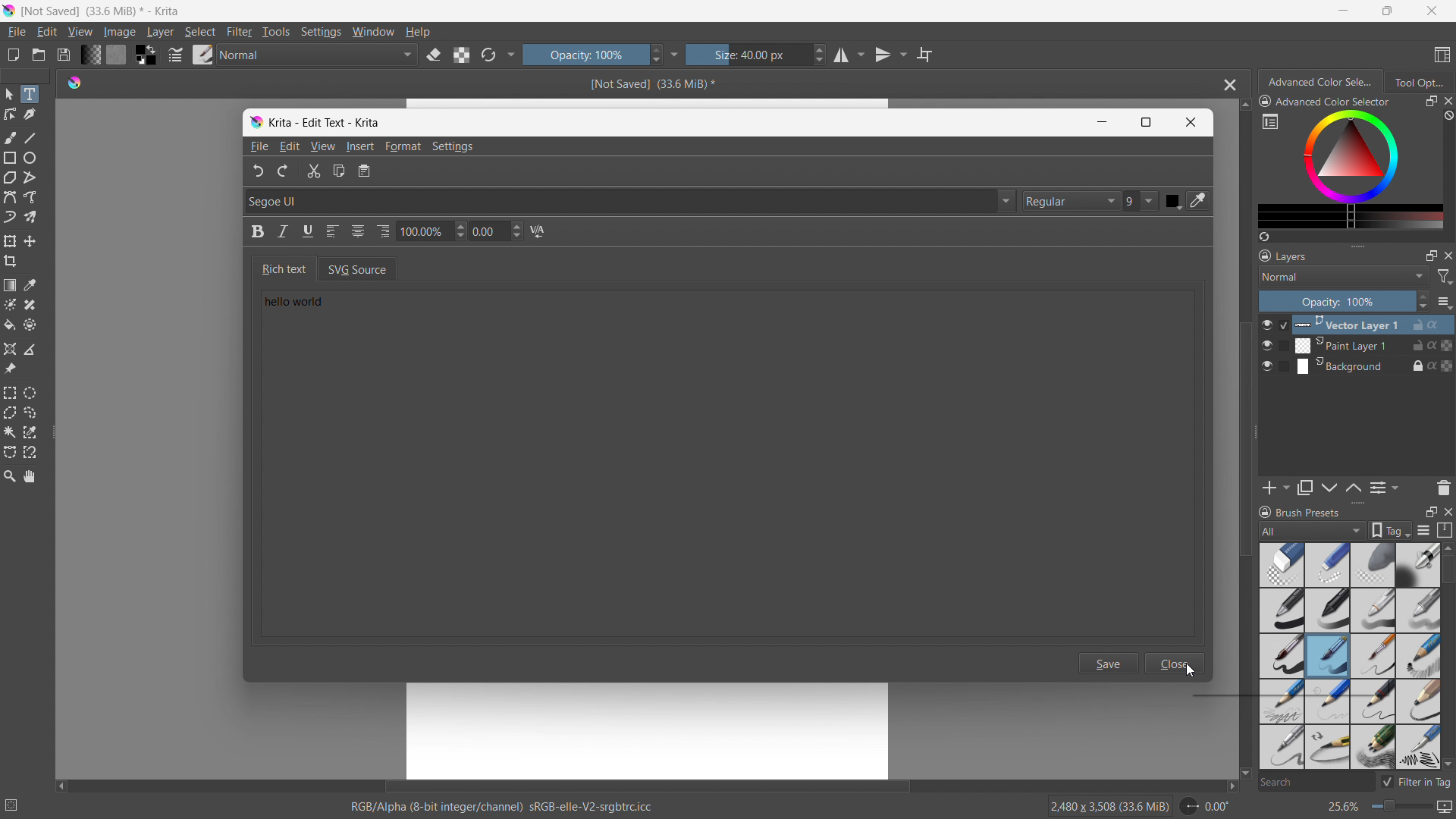 The width and height of the screenshot is (1456, 819). Describe the element at coordinates (90, 54) in the screenshot. I see `fill gradients` at that location.